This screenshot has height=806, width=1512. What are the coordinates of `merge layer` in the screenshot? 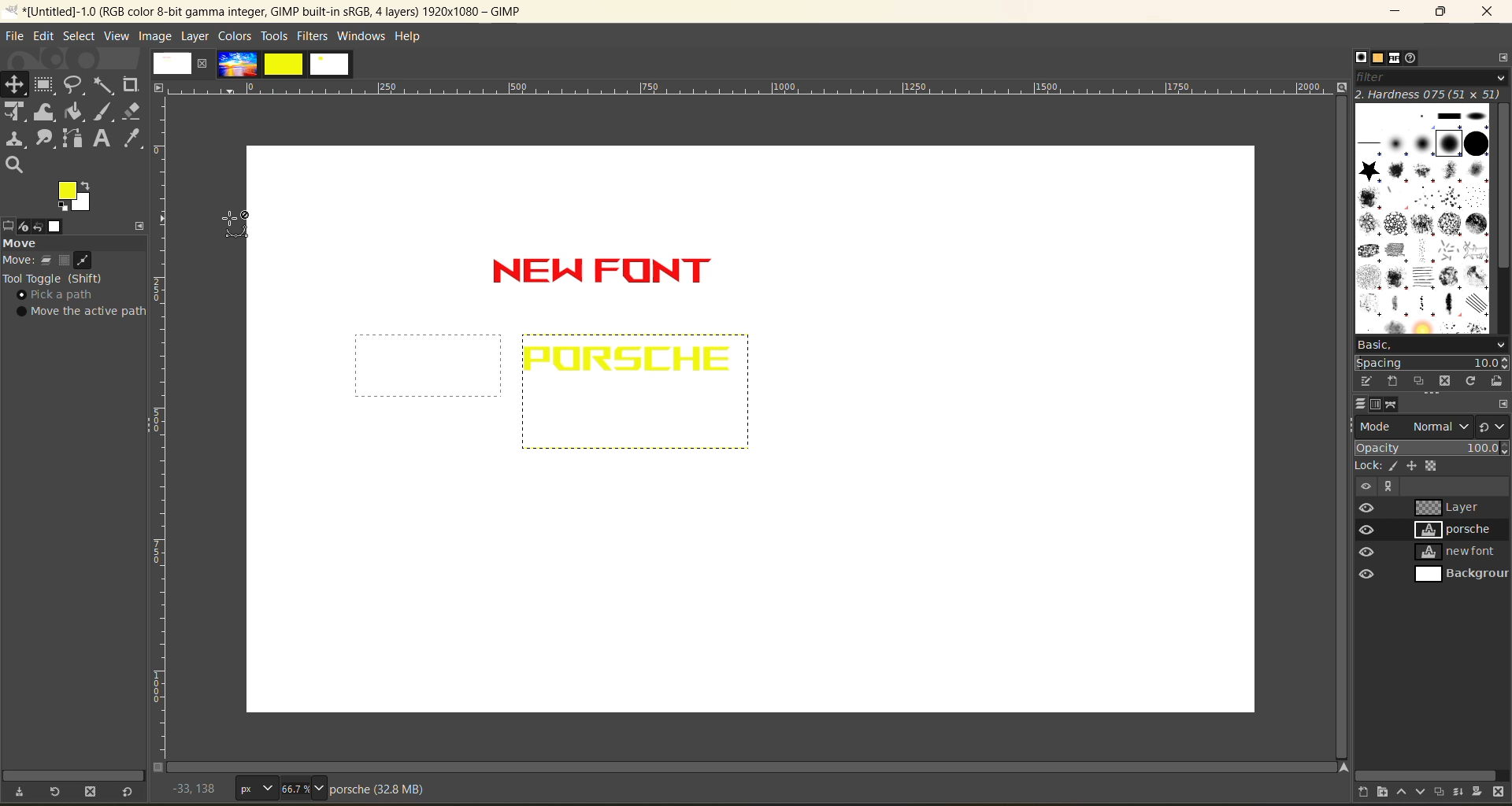 It's located at (1461, 791).